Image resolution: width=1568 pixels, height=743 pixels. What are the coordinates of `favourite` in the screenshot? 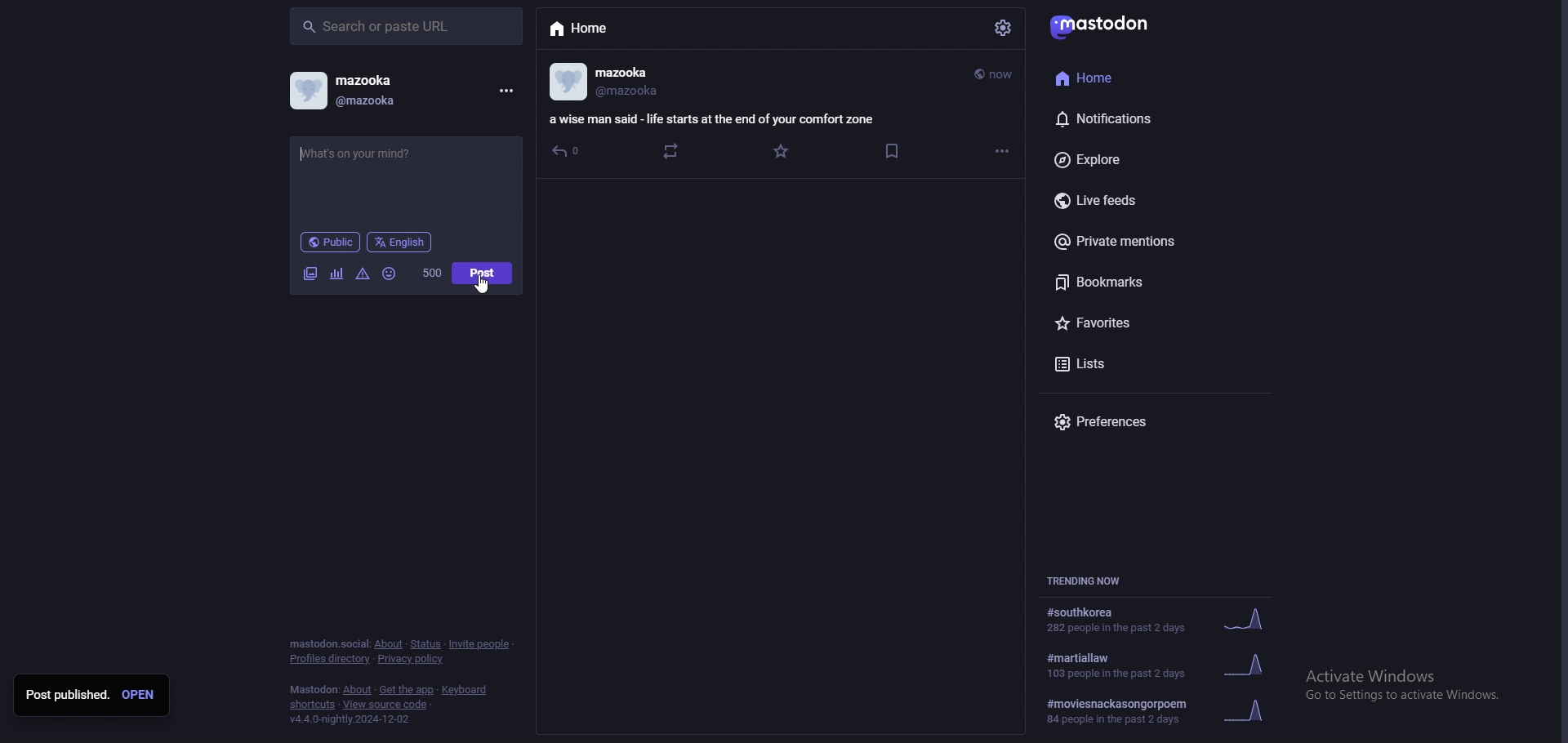 It's located at (783, 152).